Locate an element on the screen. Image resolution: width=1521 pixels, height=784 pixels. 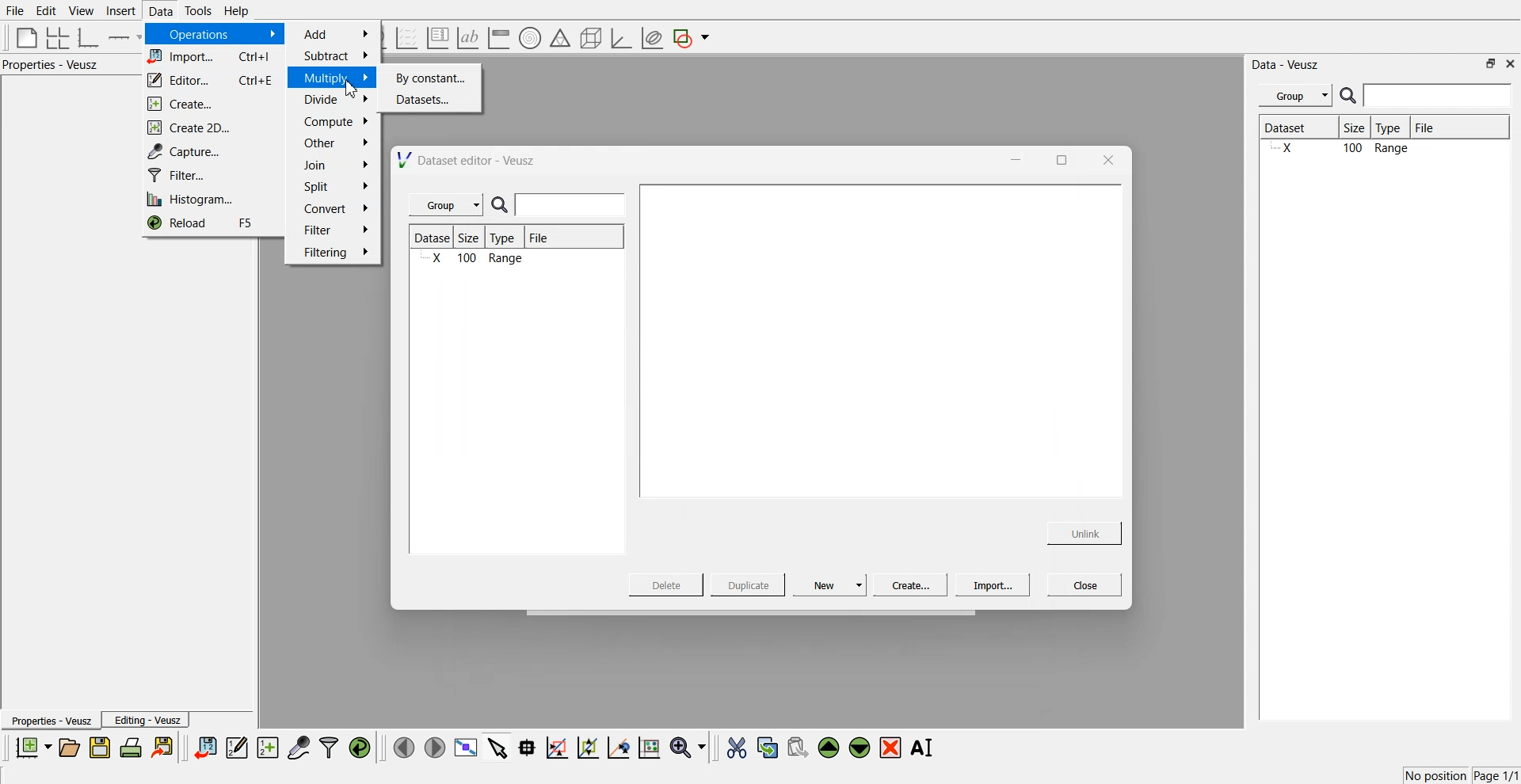
remove the selected widgets is located at coordinates (892, 748).